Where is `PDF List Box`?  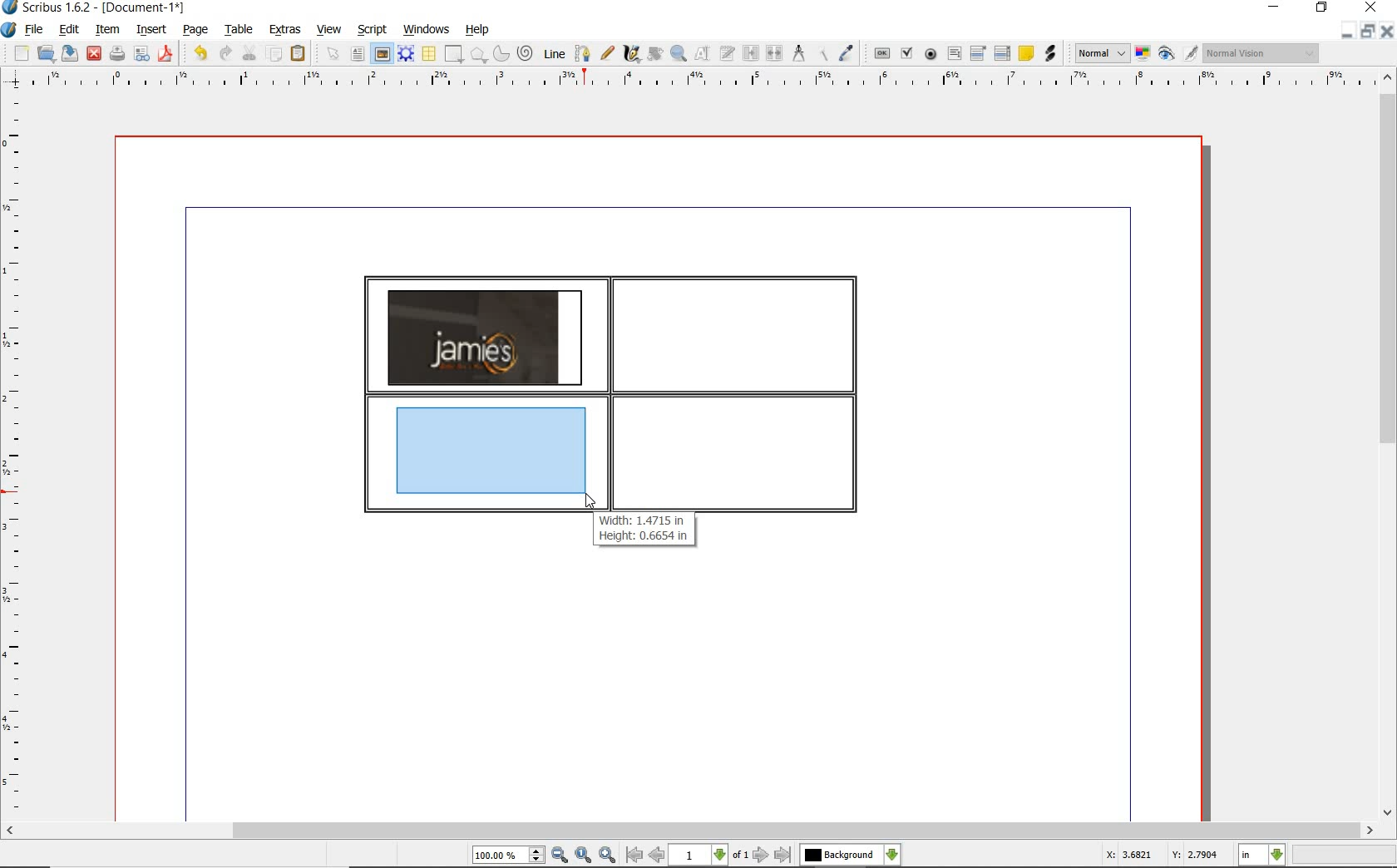 PDF List Box is located at coordinates (1002, 53).